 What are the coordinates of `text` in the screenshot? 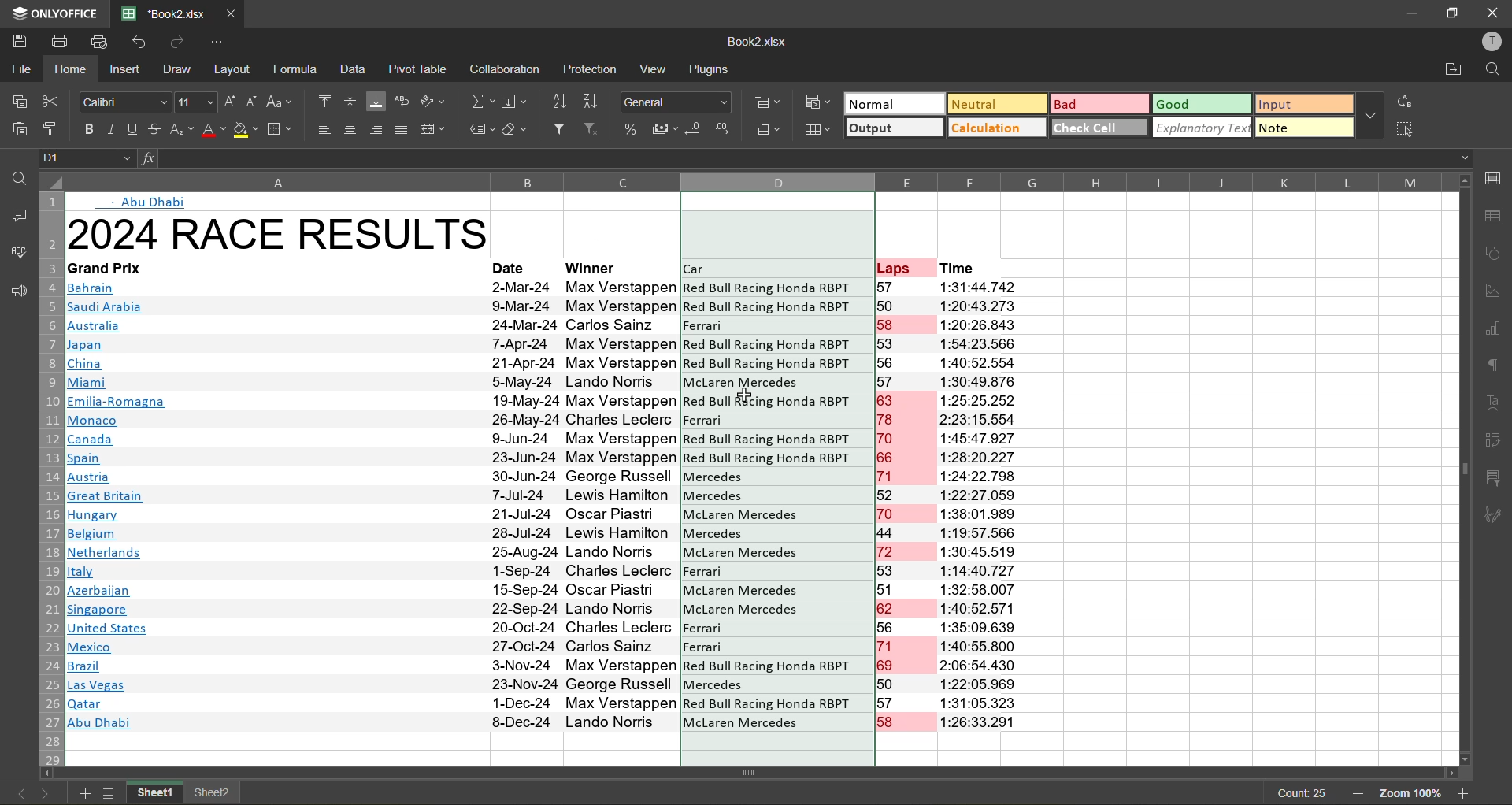 It's located at (1497, 402).